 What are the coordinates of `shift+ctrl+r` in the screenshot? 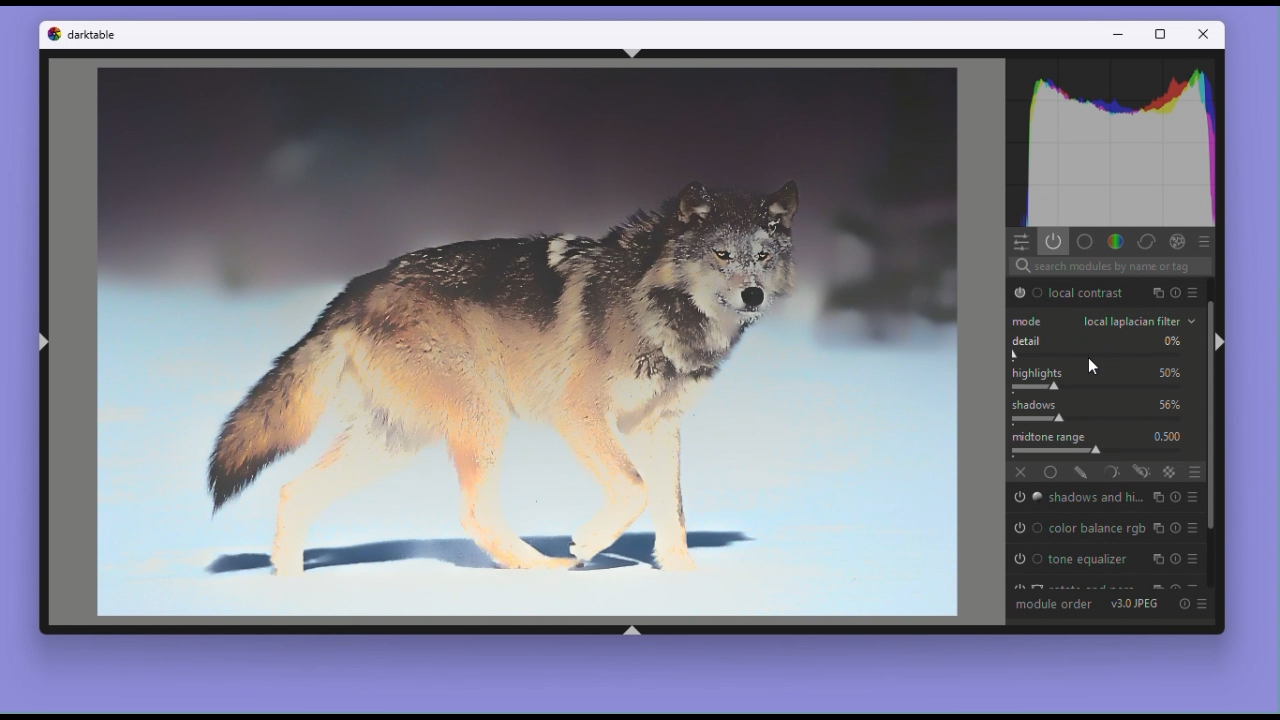 It's located at (1219, 342).